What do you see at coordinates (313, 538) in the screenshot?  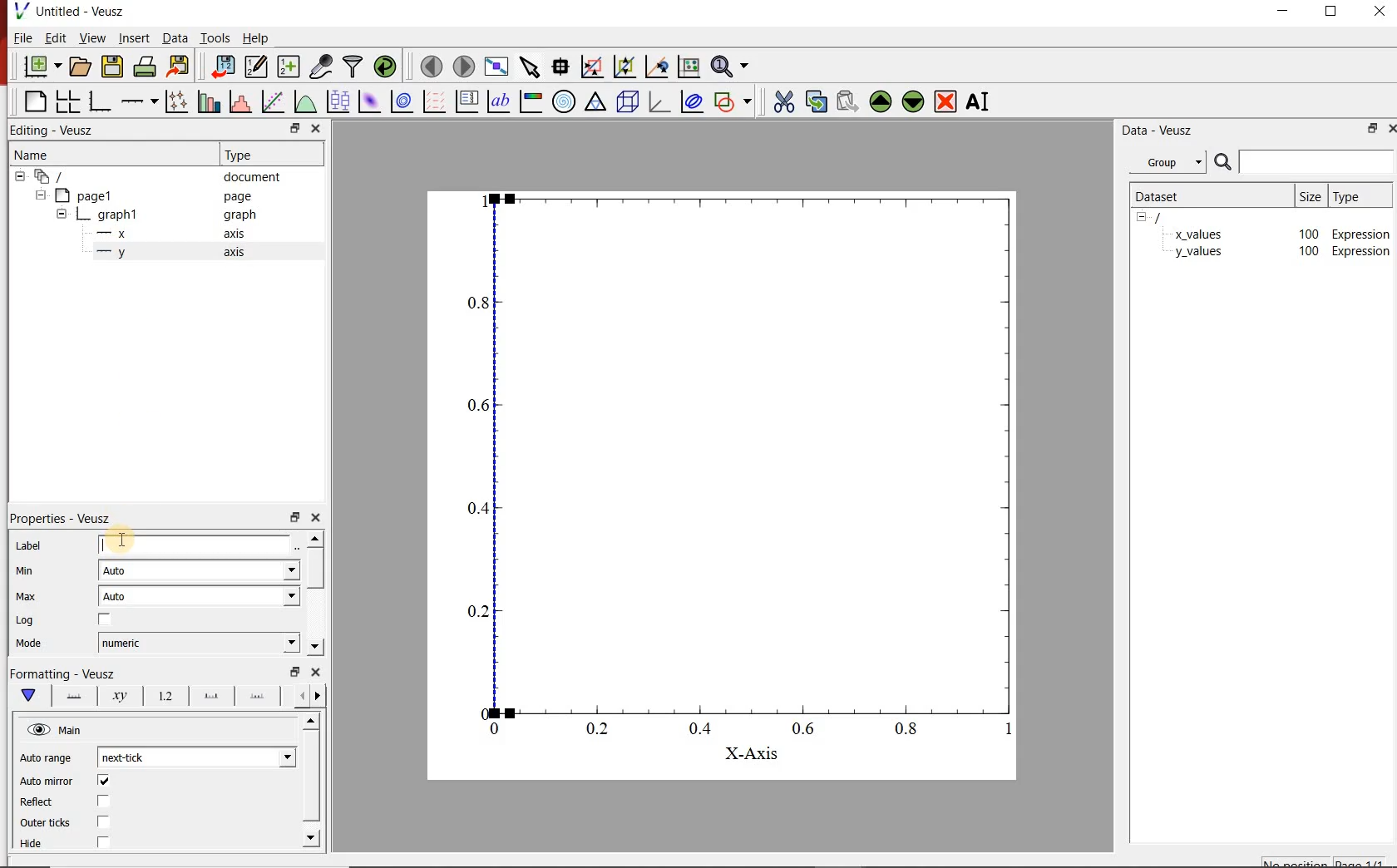 I see `move up` at bounding box center [313, 538].